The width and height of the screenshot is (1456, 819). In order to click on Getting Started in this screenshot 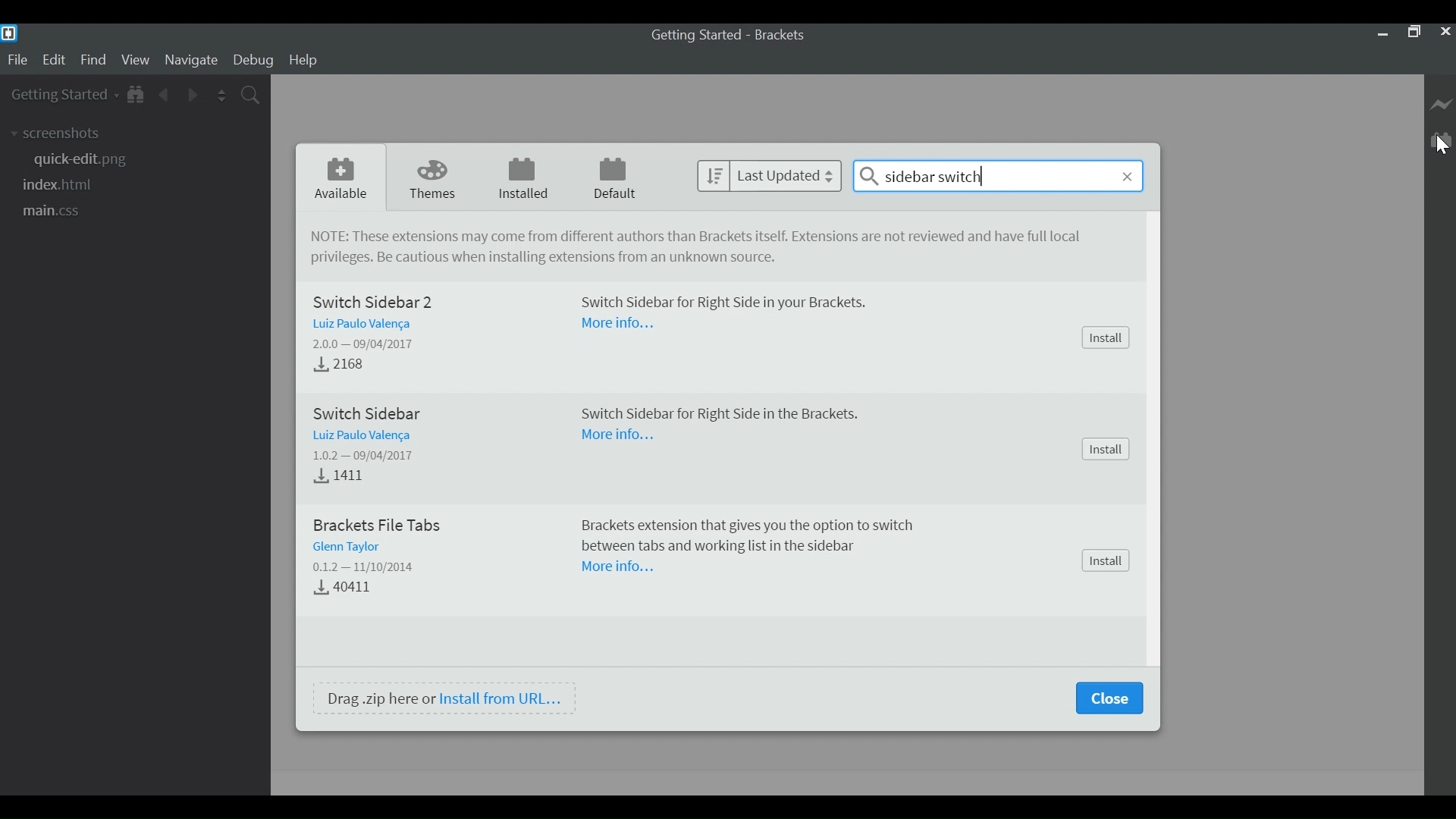, I will do `click(64, 95)`.